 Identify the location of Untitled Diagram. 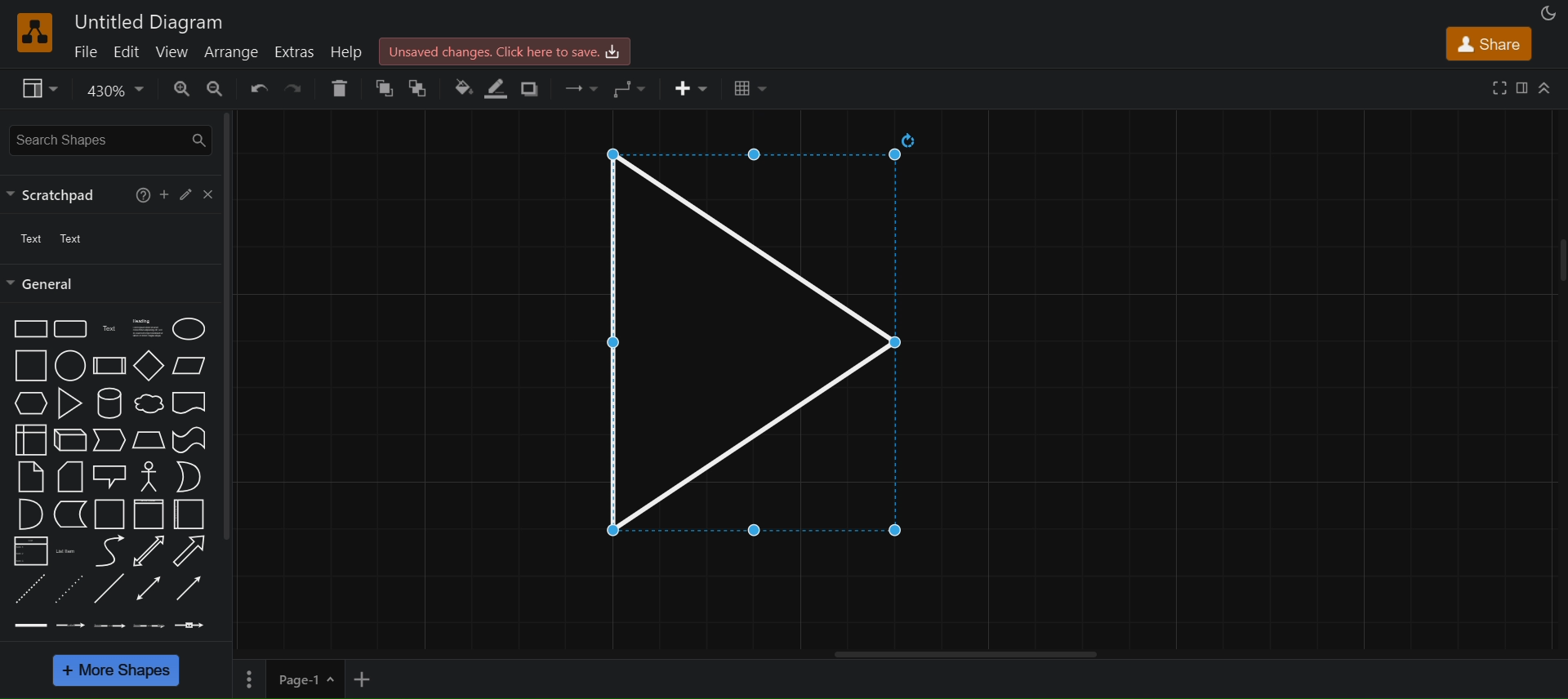
(148, 20).